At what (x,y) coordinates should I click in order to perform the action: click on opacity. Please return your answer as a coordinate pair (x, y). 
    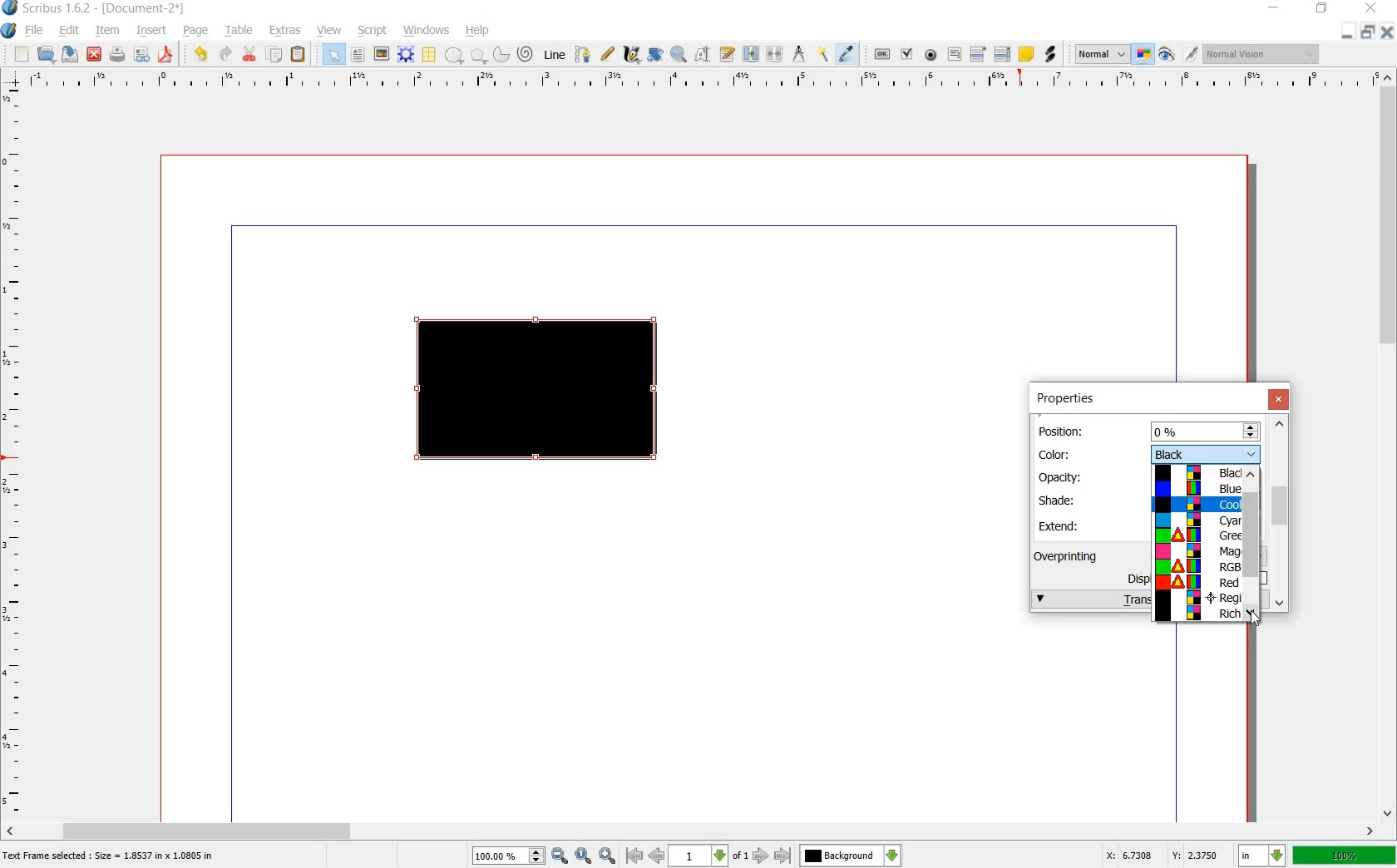
    Looking at the image, I should click on (1062, 477).